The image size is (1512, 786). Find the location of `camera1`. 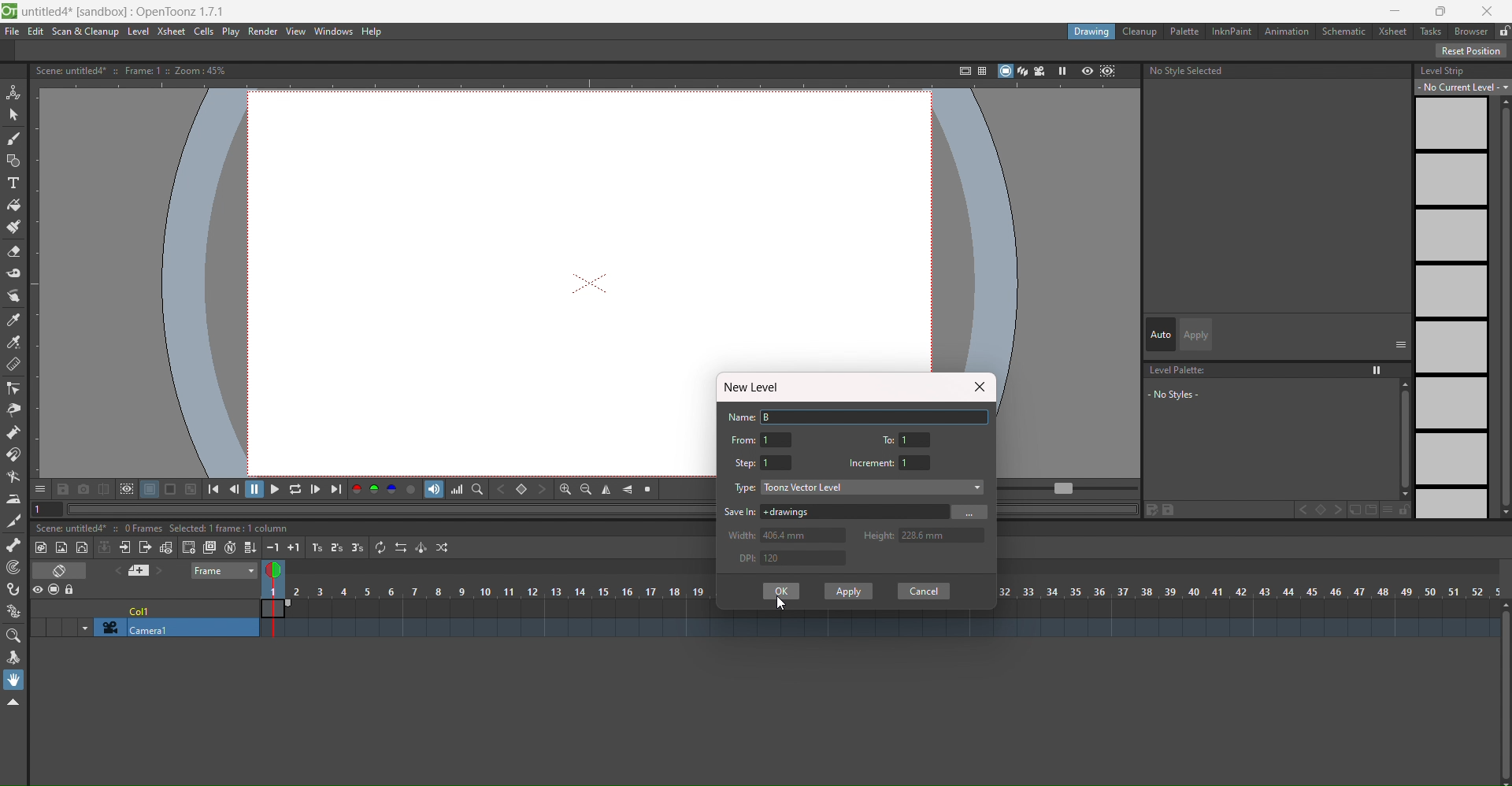

camera1 is located at coordinates (171, 628).